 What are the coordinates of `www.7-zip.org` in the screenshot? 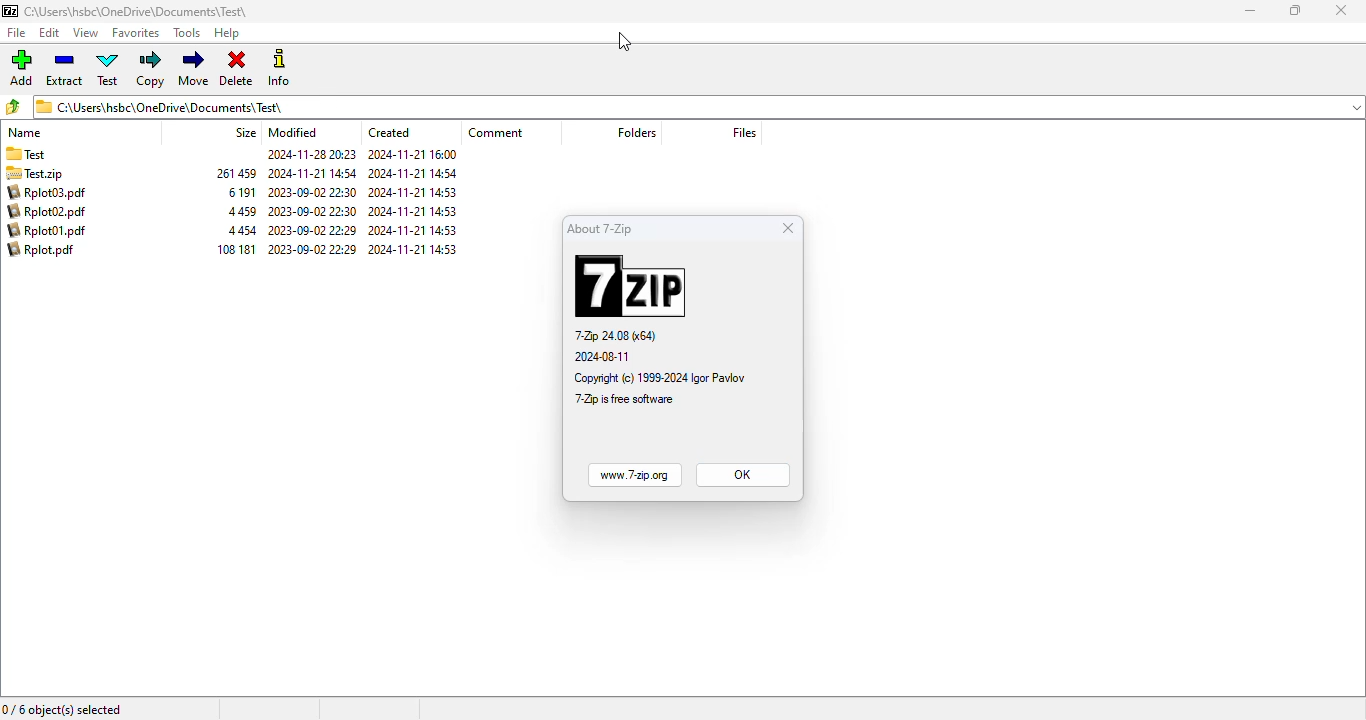 It's located at (632, 475).